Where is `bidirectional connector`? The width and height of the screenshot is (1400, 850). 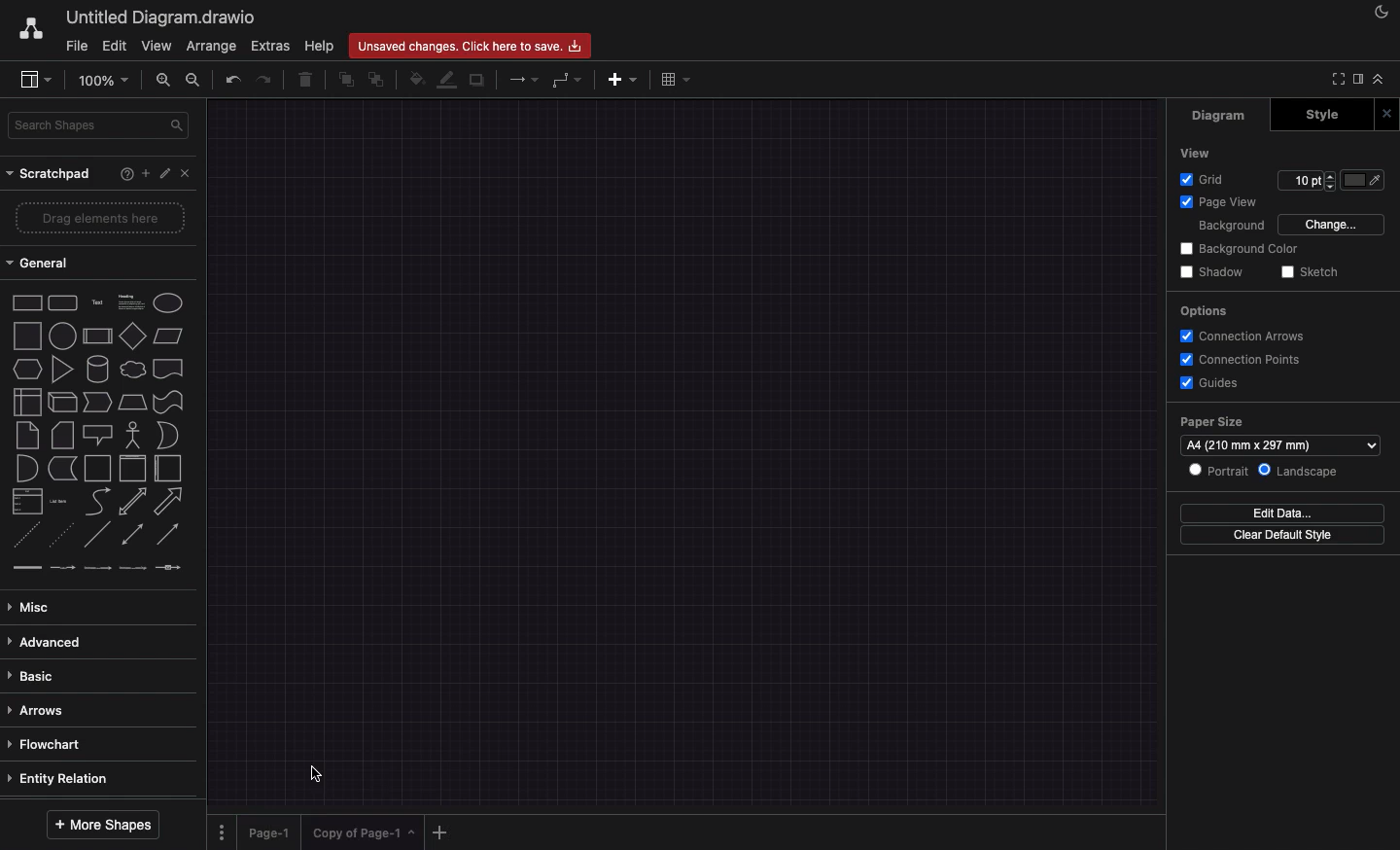 bidirectional connector is located at coordinates (134, 533).